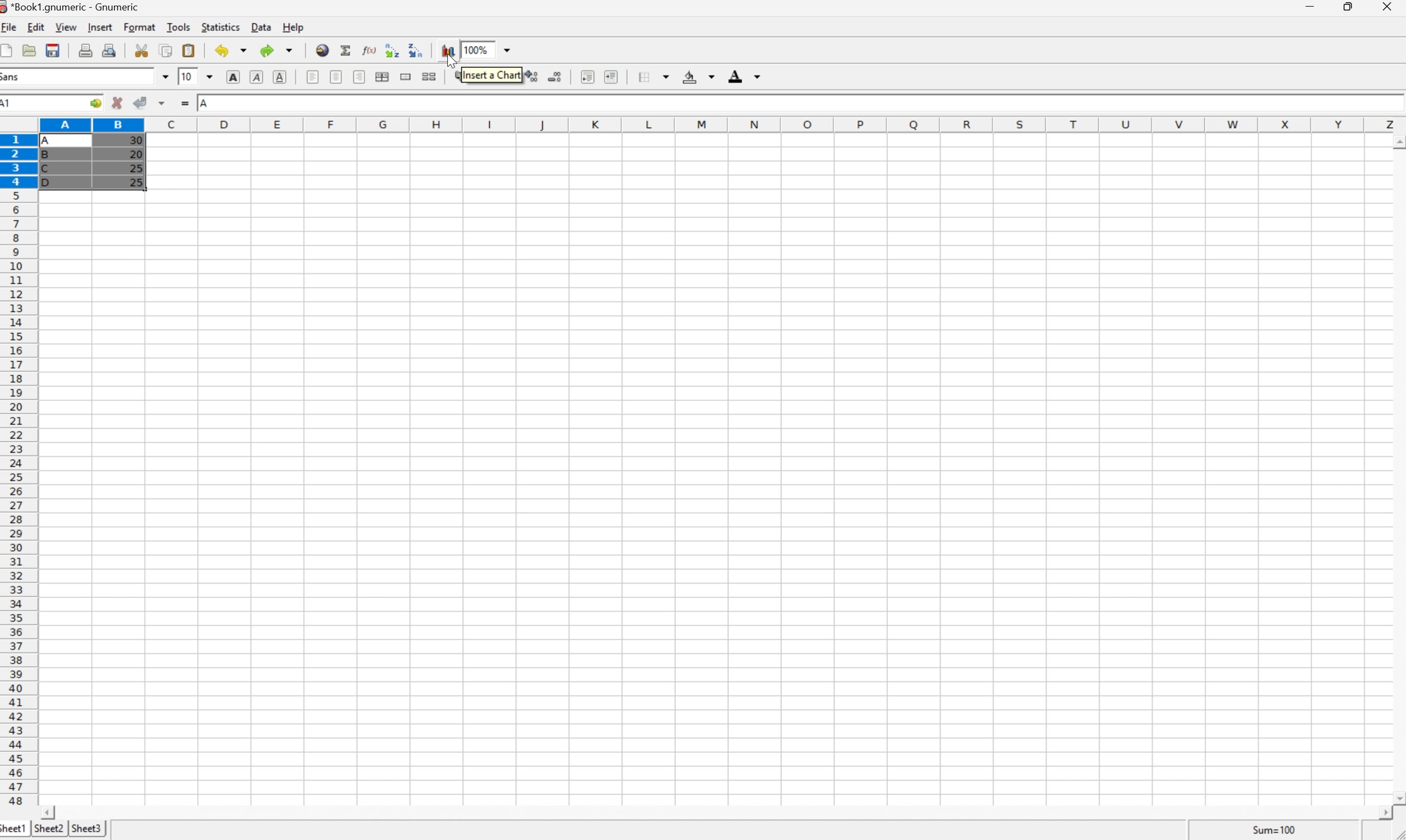 This screenshot has height=840, width=1406. Describe the element at coordinates (233, 77) in the screenshot. I see `Bold` at that location.